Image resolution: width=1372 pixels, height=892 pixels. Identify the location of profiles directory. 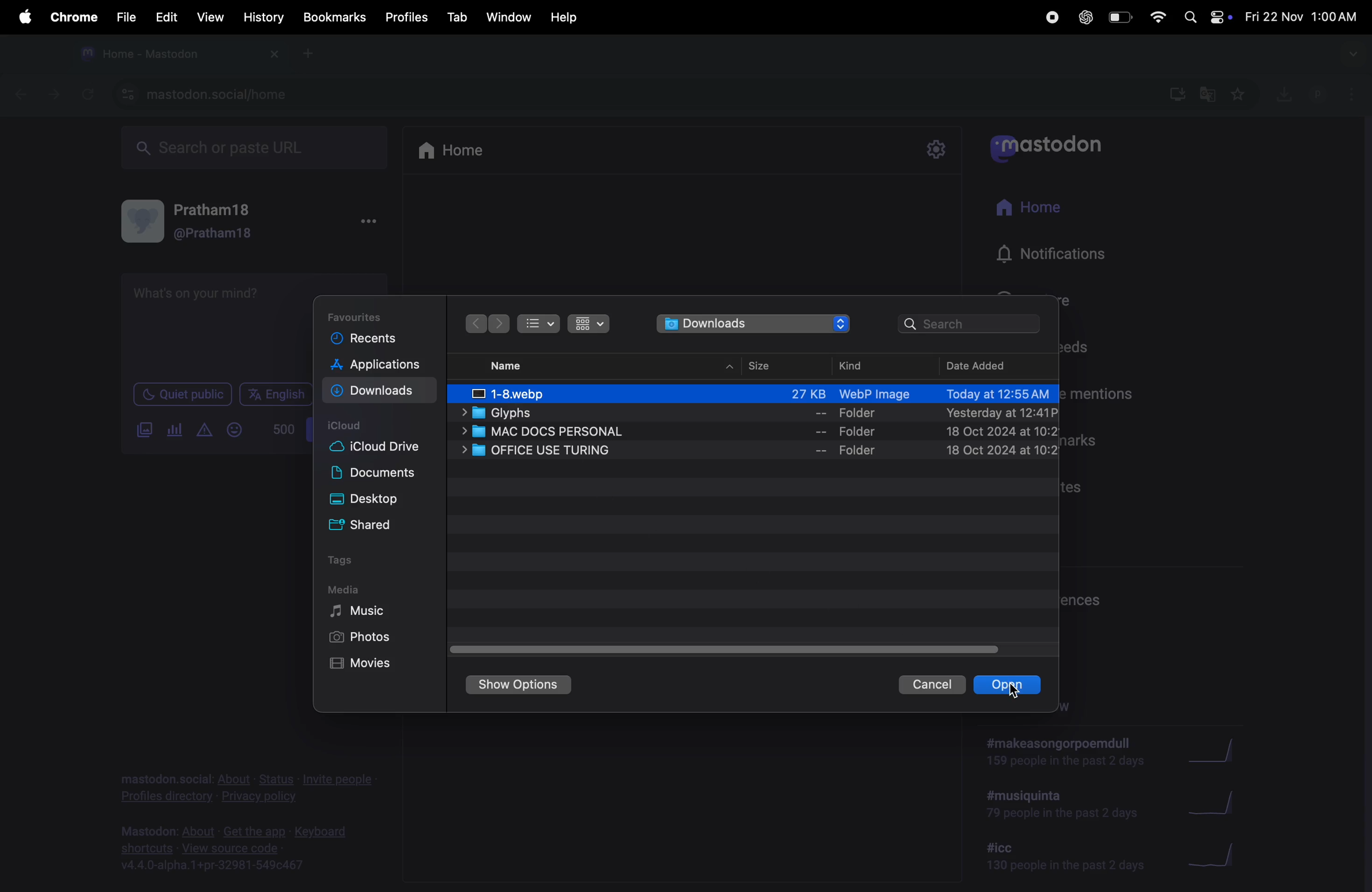
(168, 797).